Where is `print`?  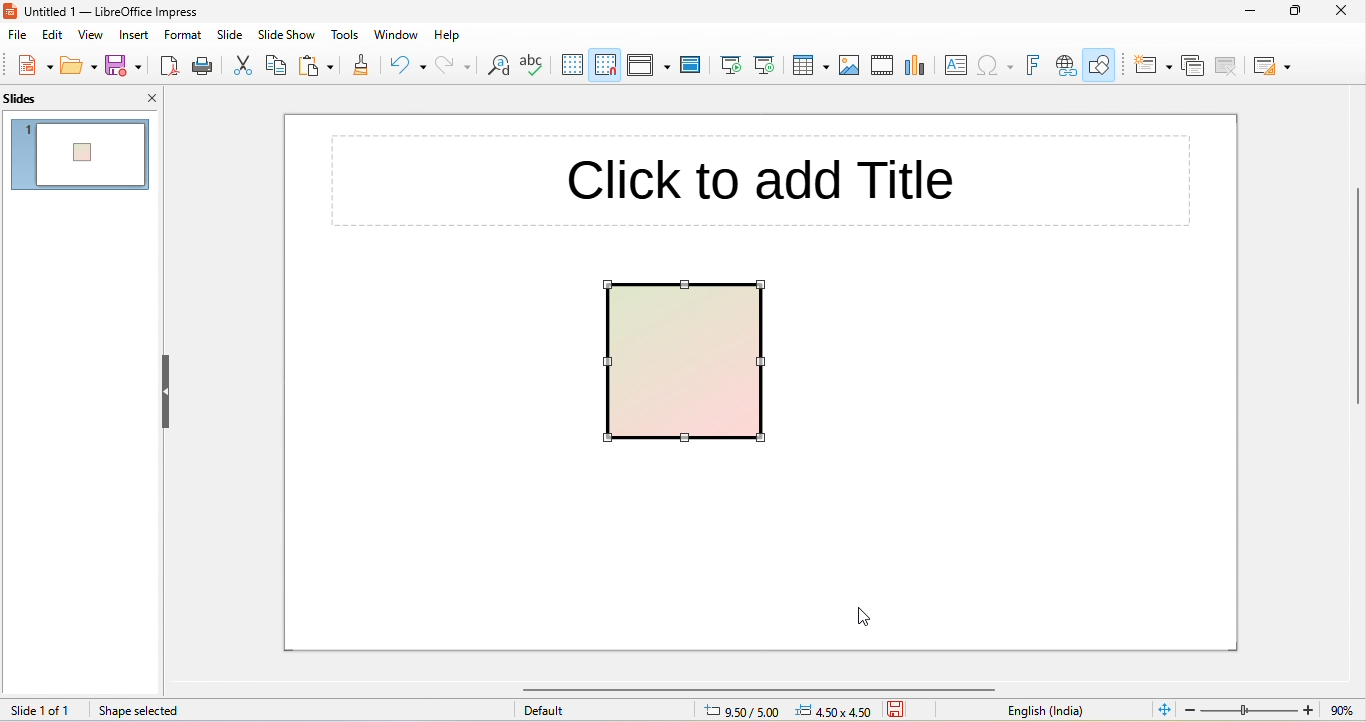
print is located at coordinates (201, 65).